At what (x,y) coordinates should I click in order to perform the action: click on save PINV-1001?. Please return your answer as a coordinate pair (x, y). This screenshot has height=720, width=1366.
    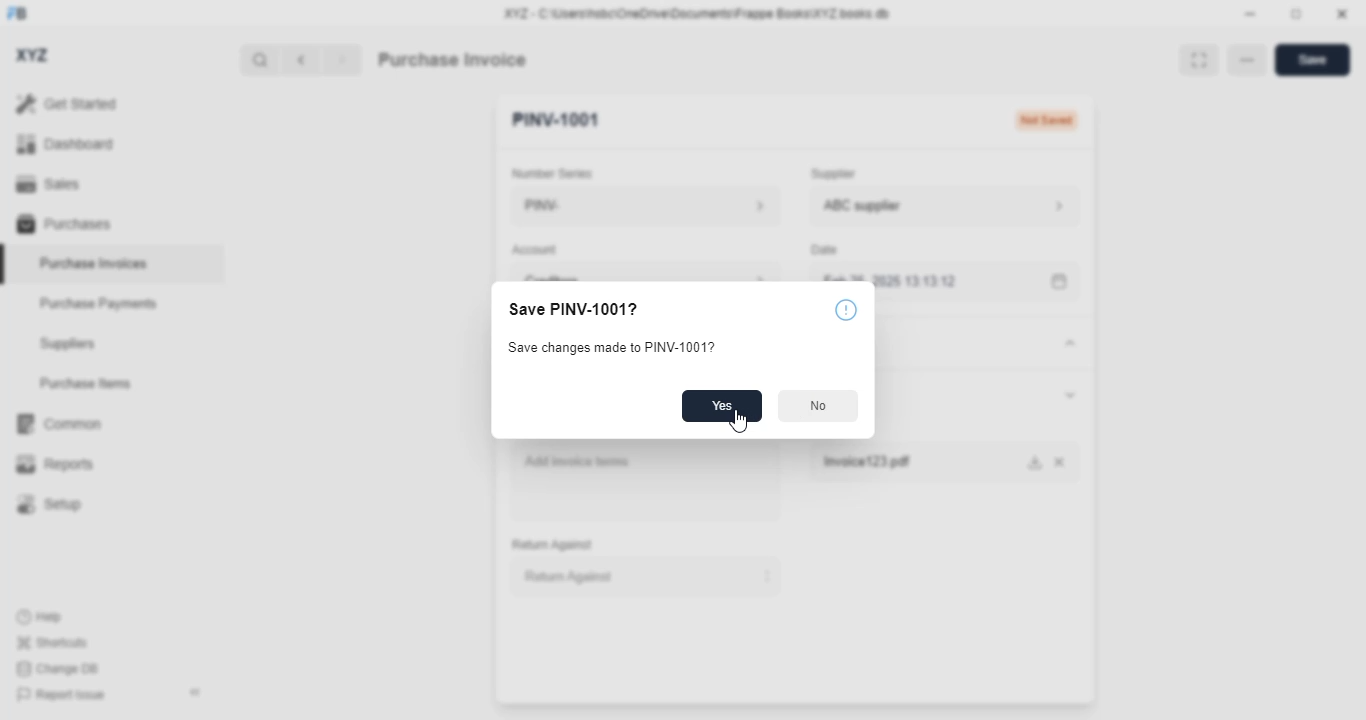
    Looking at the image, I should click on (574, 309).